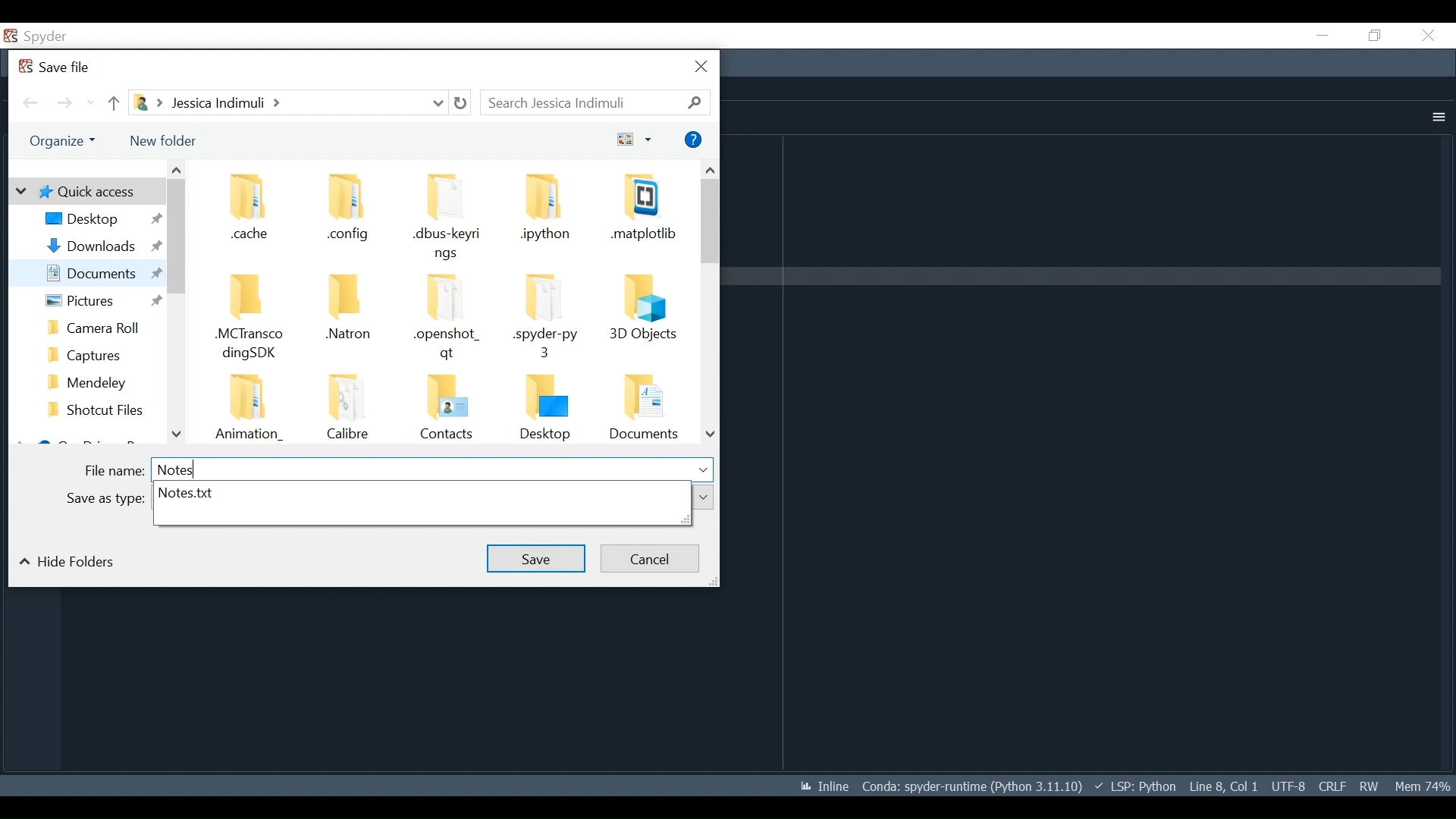 The width and height of the screenshot is (1456, 819). Describe the element at coordinates (1368, 786) in the screenshot. I see `File Permissions` at that location.